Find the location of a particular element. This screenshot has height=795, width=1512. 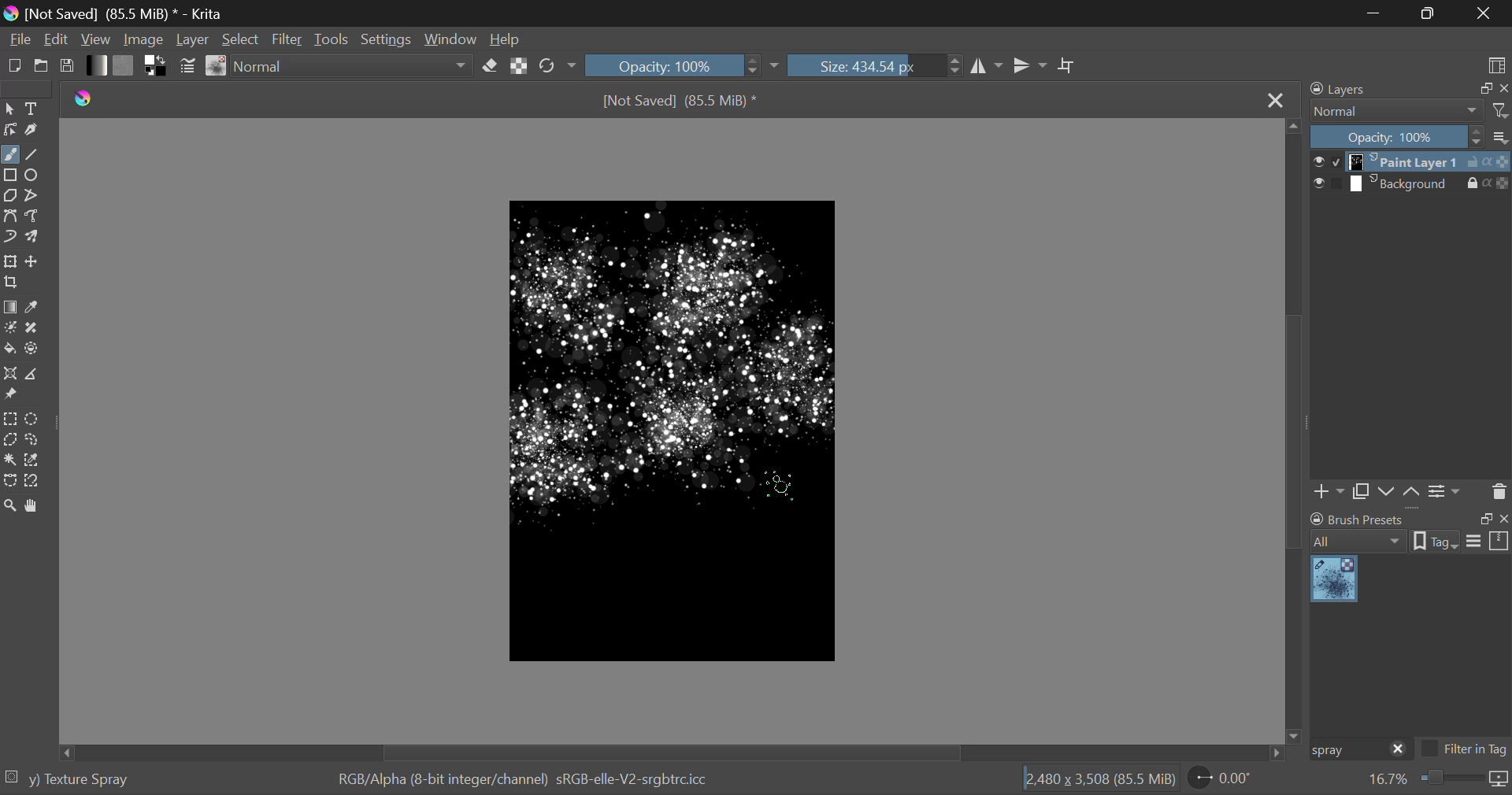

Spray Brush Preset is located at coordinates (1334, 580).